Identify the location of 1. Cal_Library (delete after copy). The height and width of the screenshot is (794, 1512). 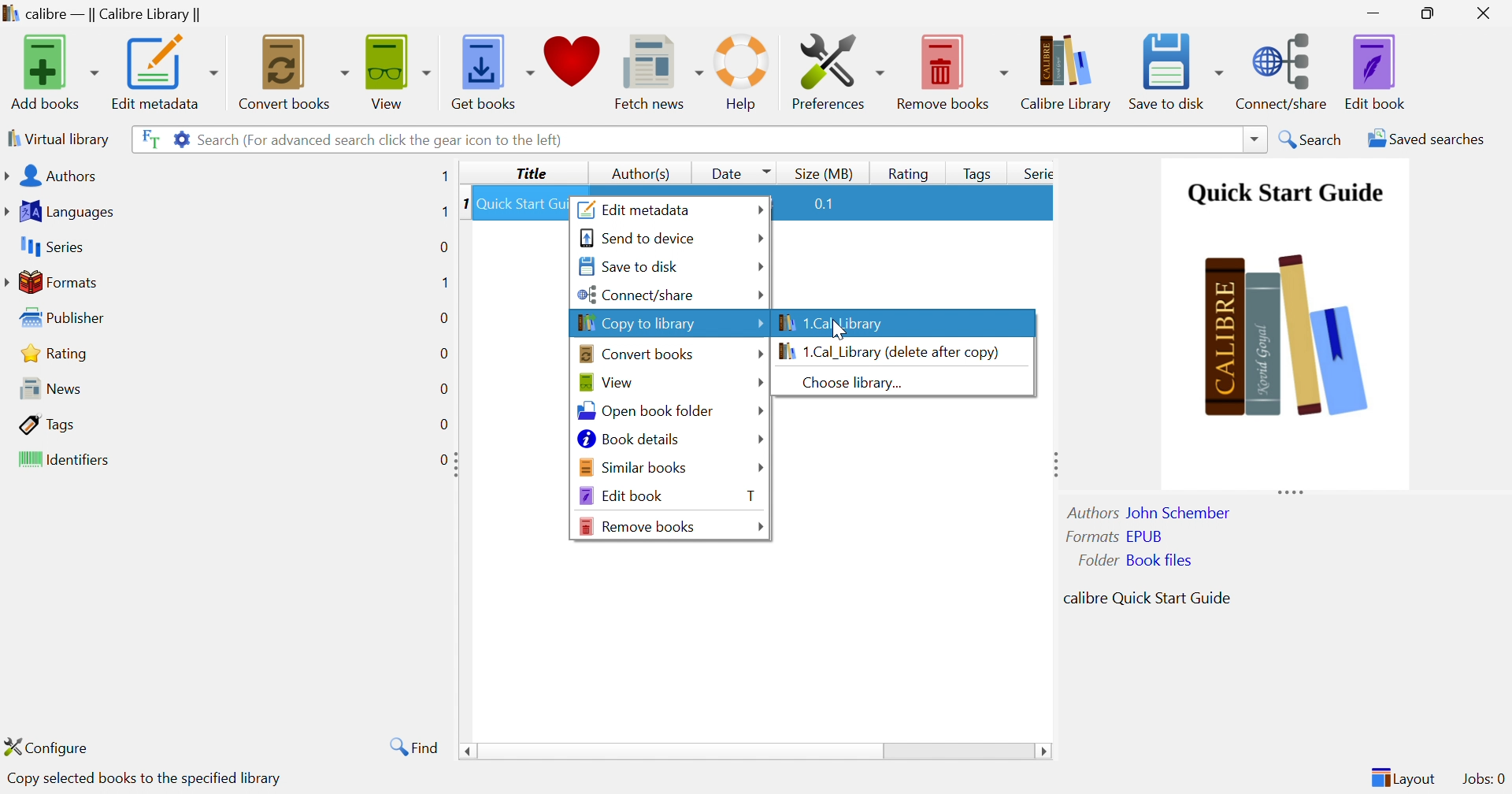
(886, 351).